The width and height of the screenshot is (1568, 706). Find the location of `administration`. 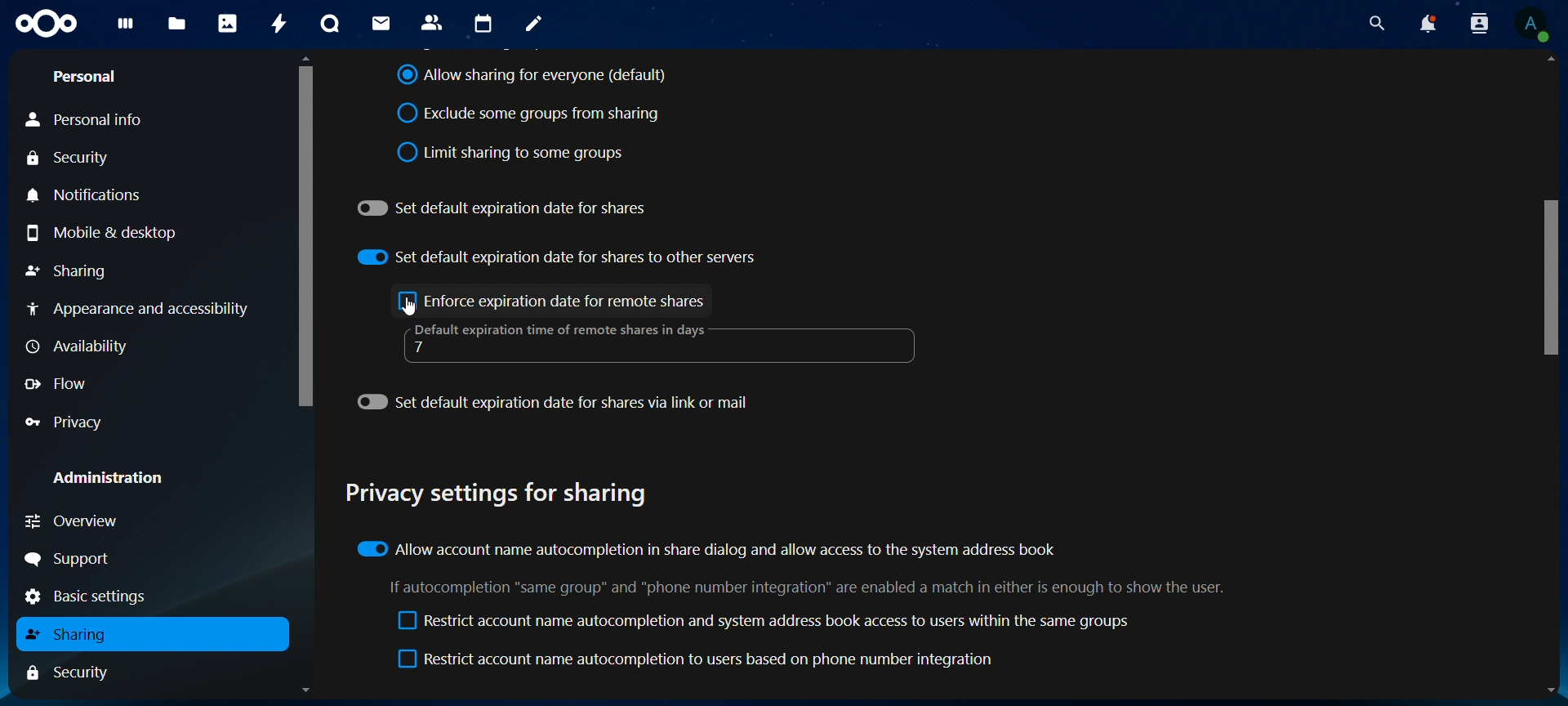

administration is located at coordinates (112, 476).